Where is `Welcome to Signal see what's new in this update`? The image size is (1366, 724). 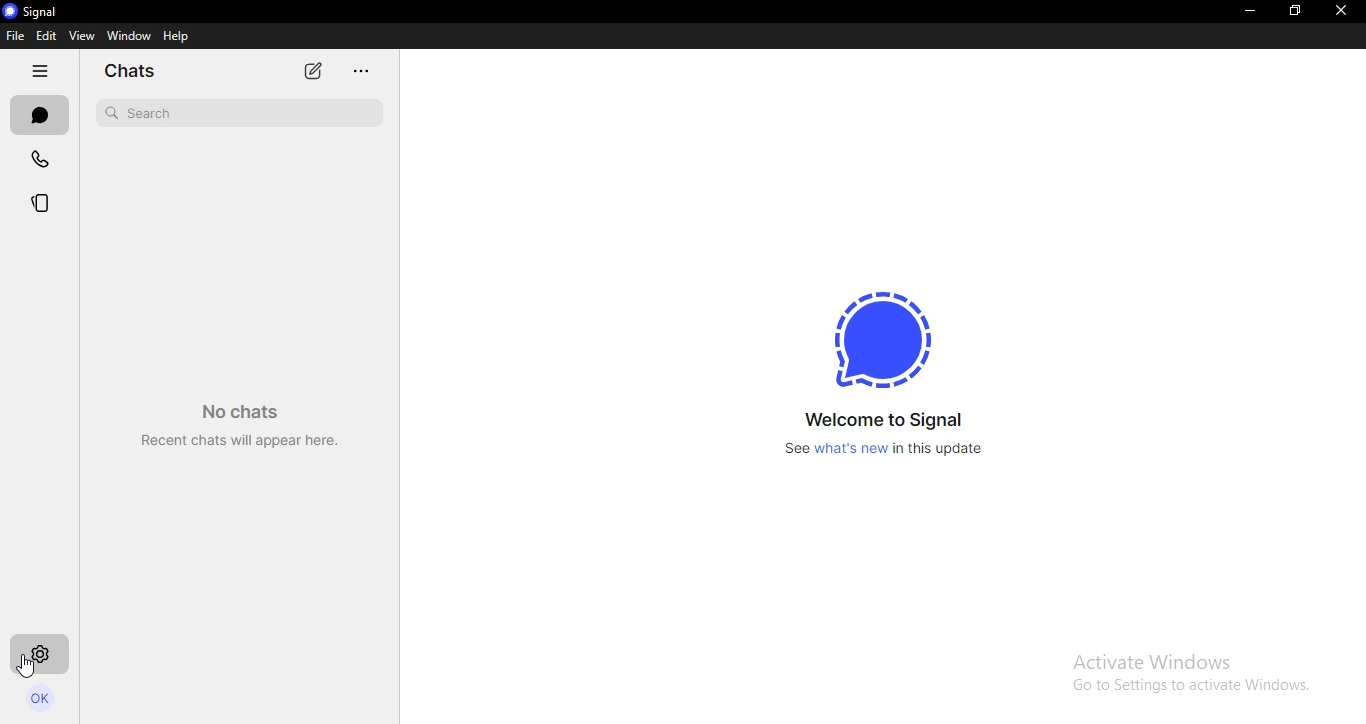 Welcome to Signal see what's new in this update is located at coordinates (881, 433).